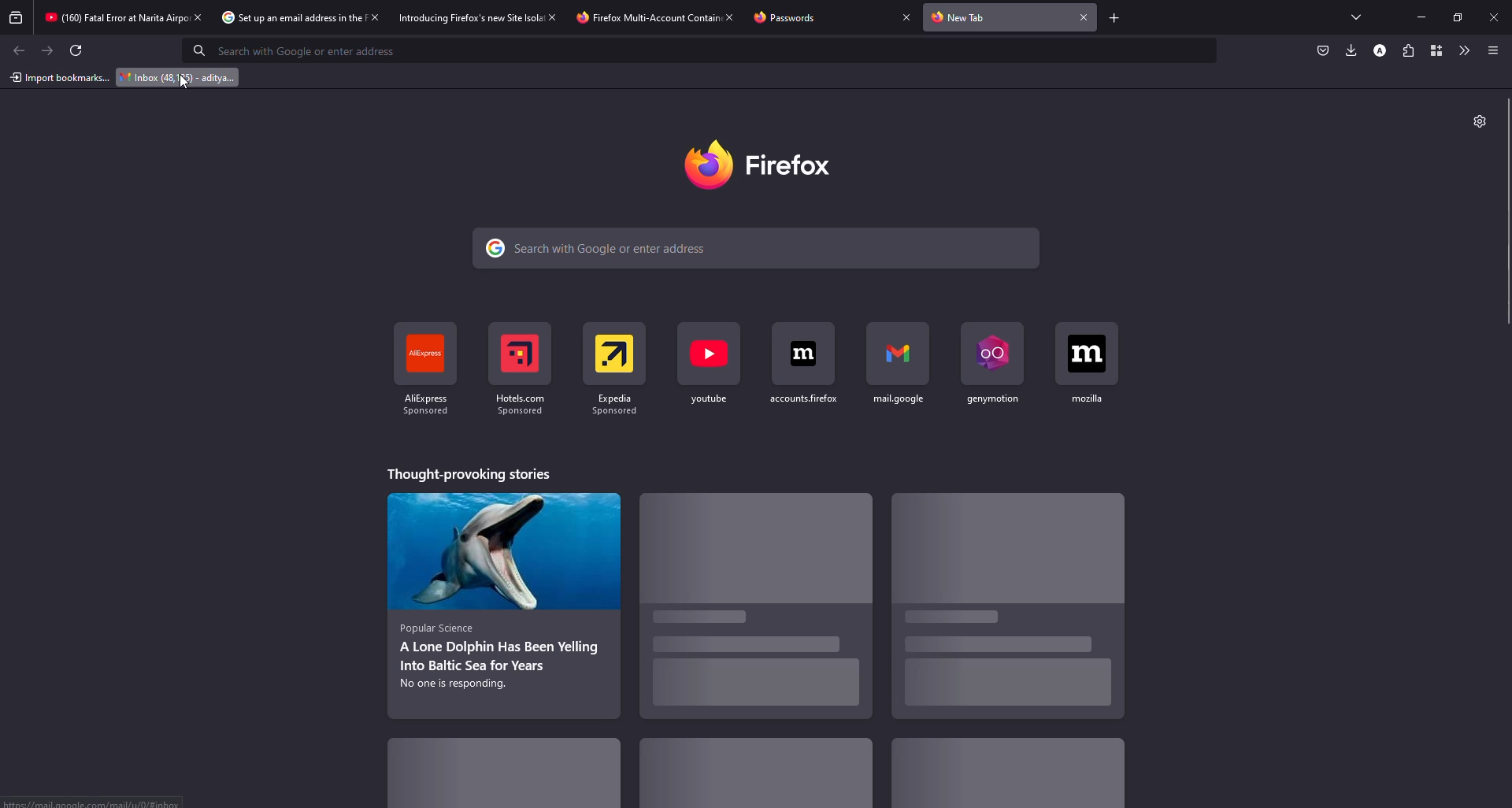 The image size is (1512, 808). What do you see at coordinates (964, 18) in the screenshot?
I see `New tab` at bounding box center [964, 18].